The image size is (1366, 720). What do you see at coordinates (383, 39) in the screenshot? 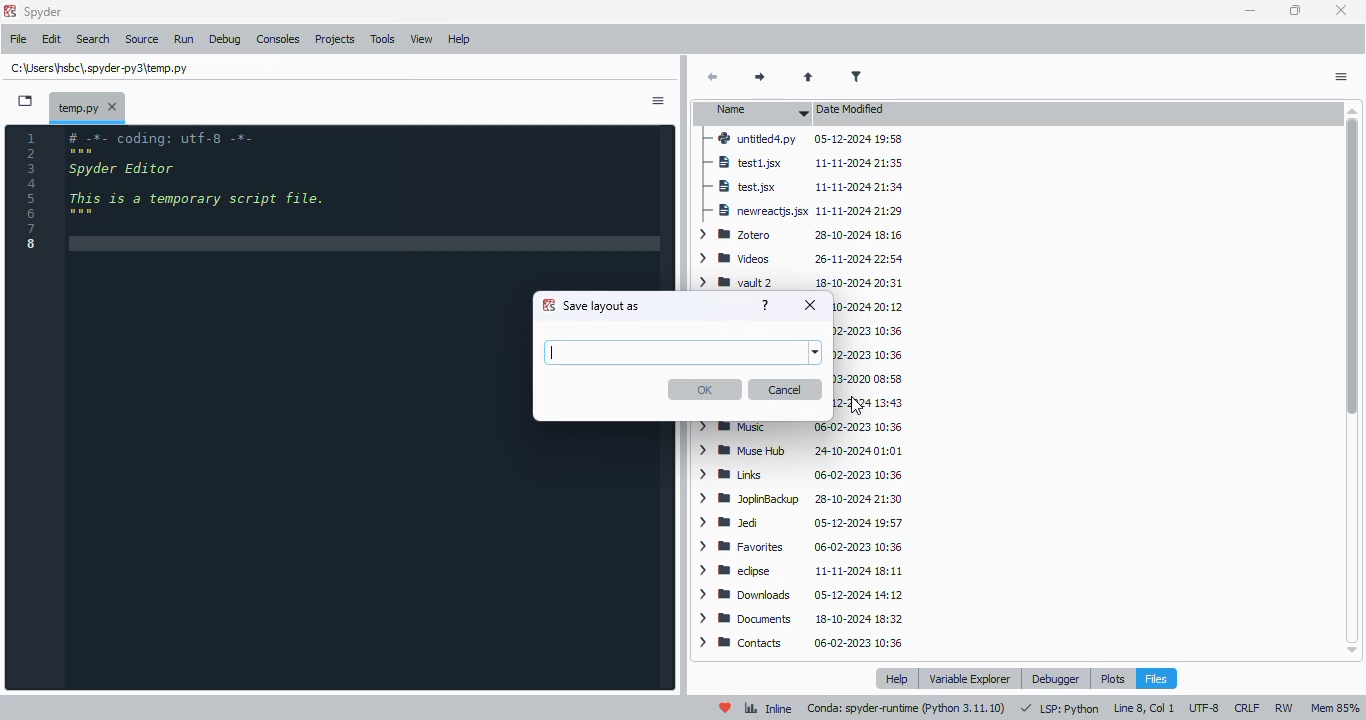
I see `tools` at bounding box center [383, 39].